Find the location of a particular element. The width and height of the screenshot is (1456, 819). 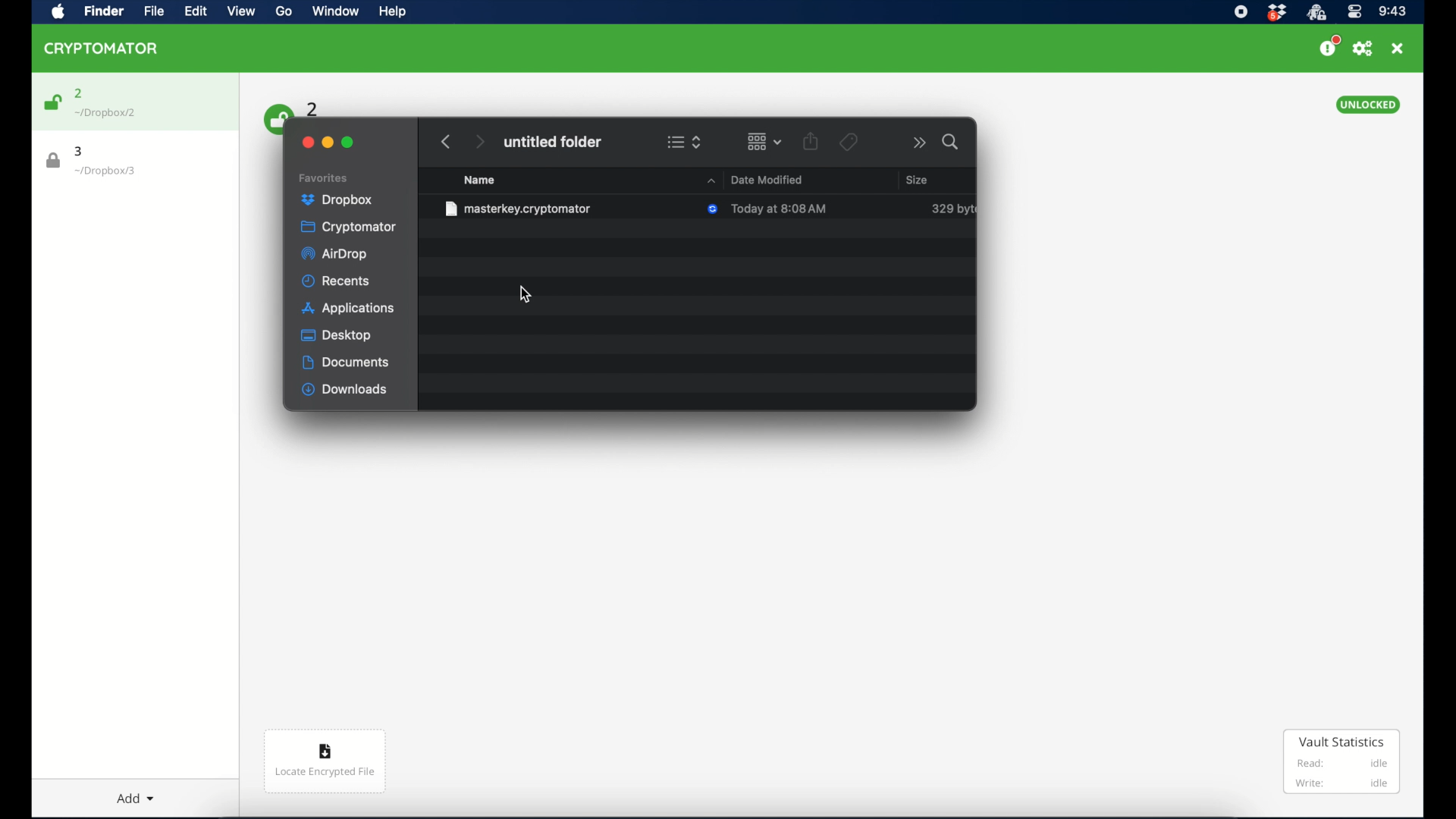

file is located at coordinates (519, 209).